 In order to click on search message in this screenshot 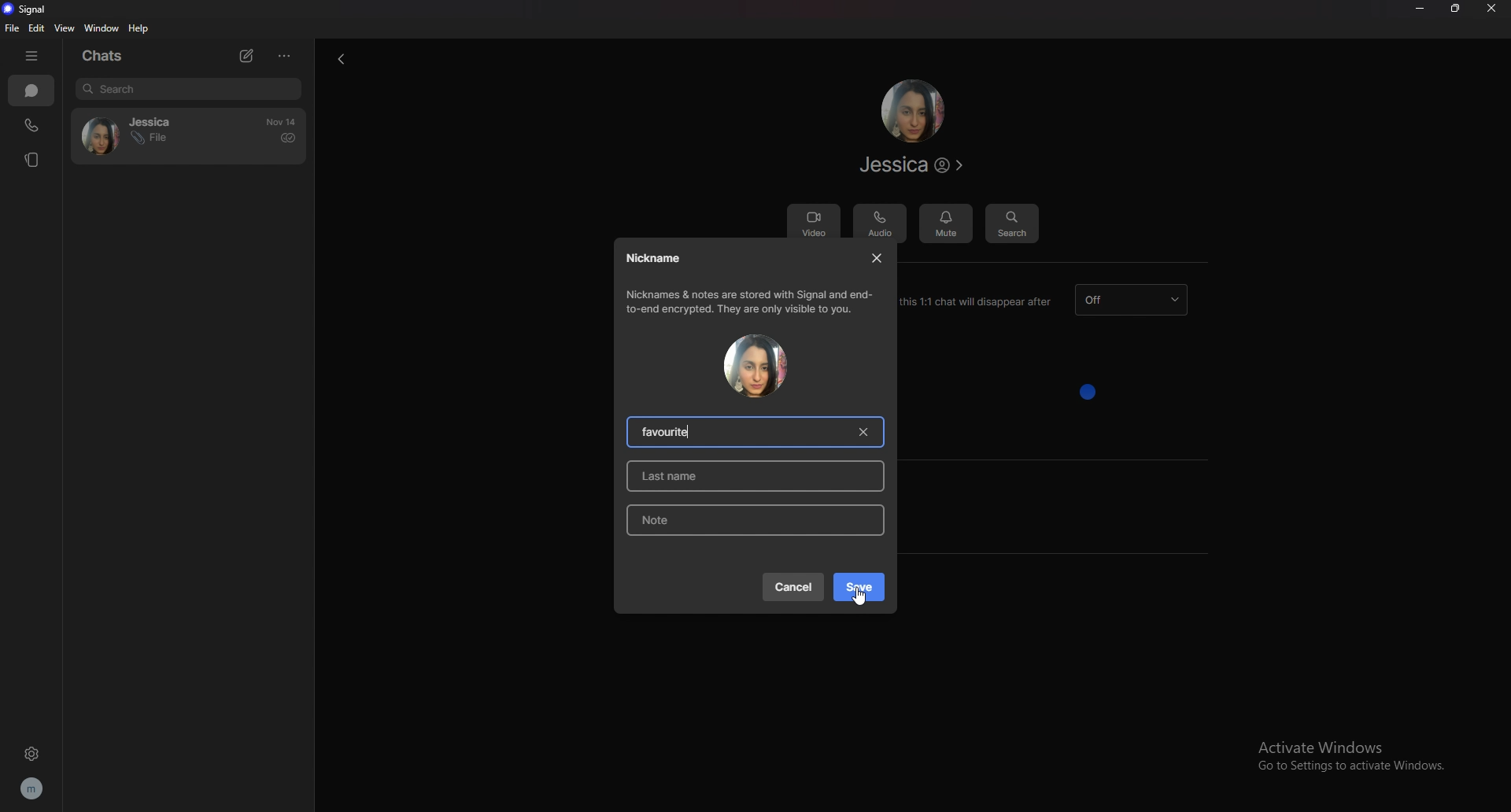, I will do `click(1012, 224)`.